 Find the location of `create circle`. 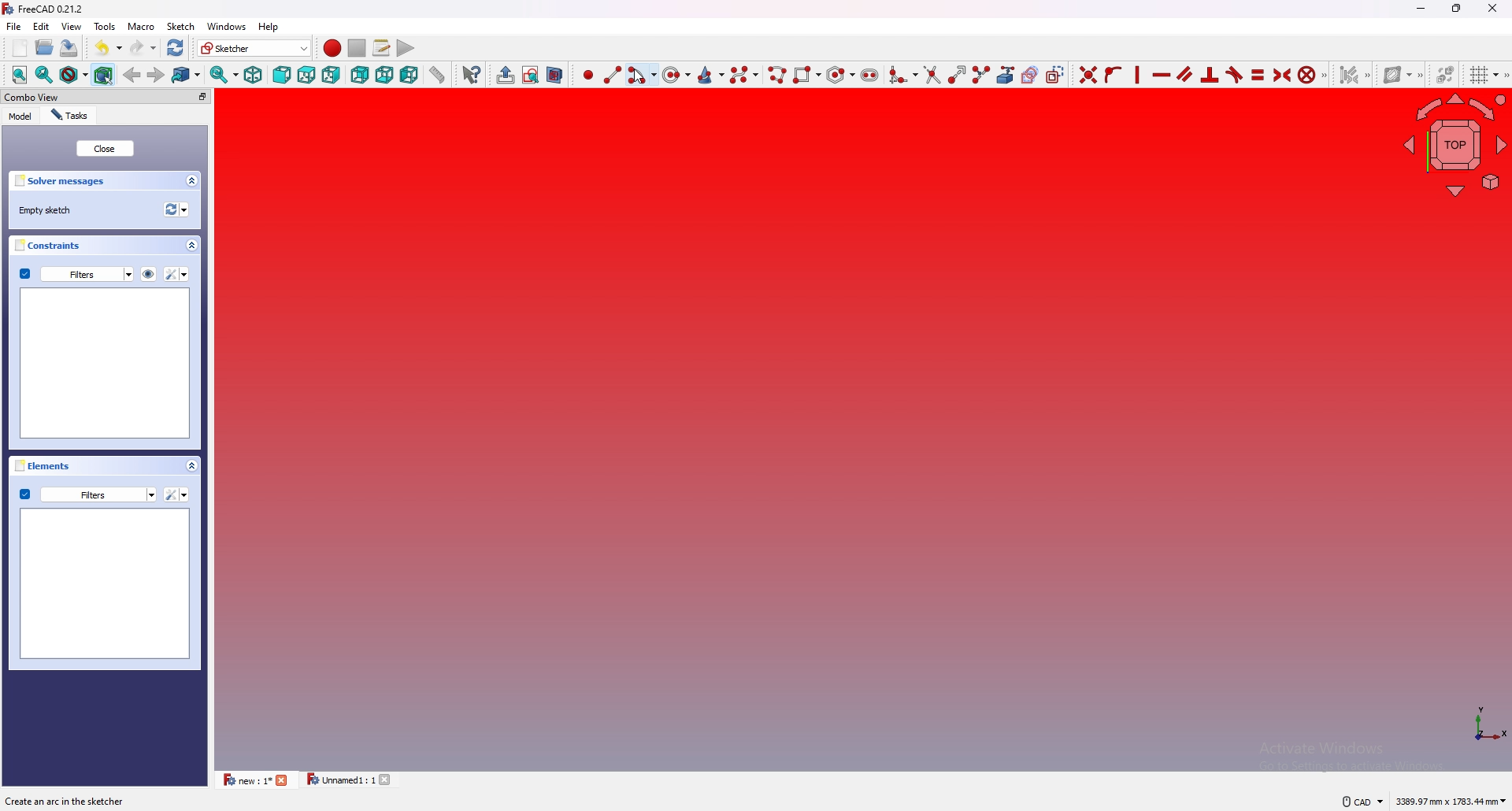

create circle is located at coordinates (675, 76).